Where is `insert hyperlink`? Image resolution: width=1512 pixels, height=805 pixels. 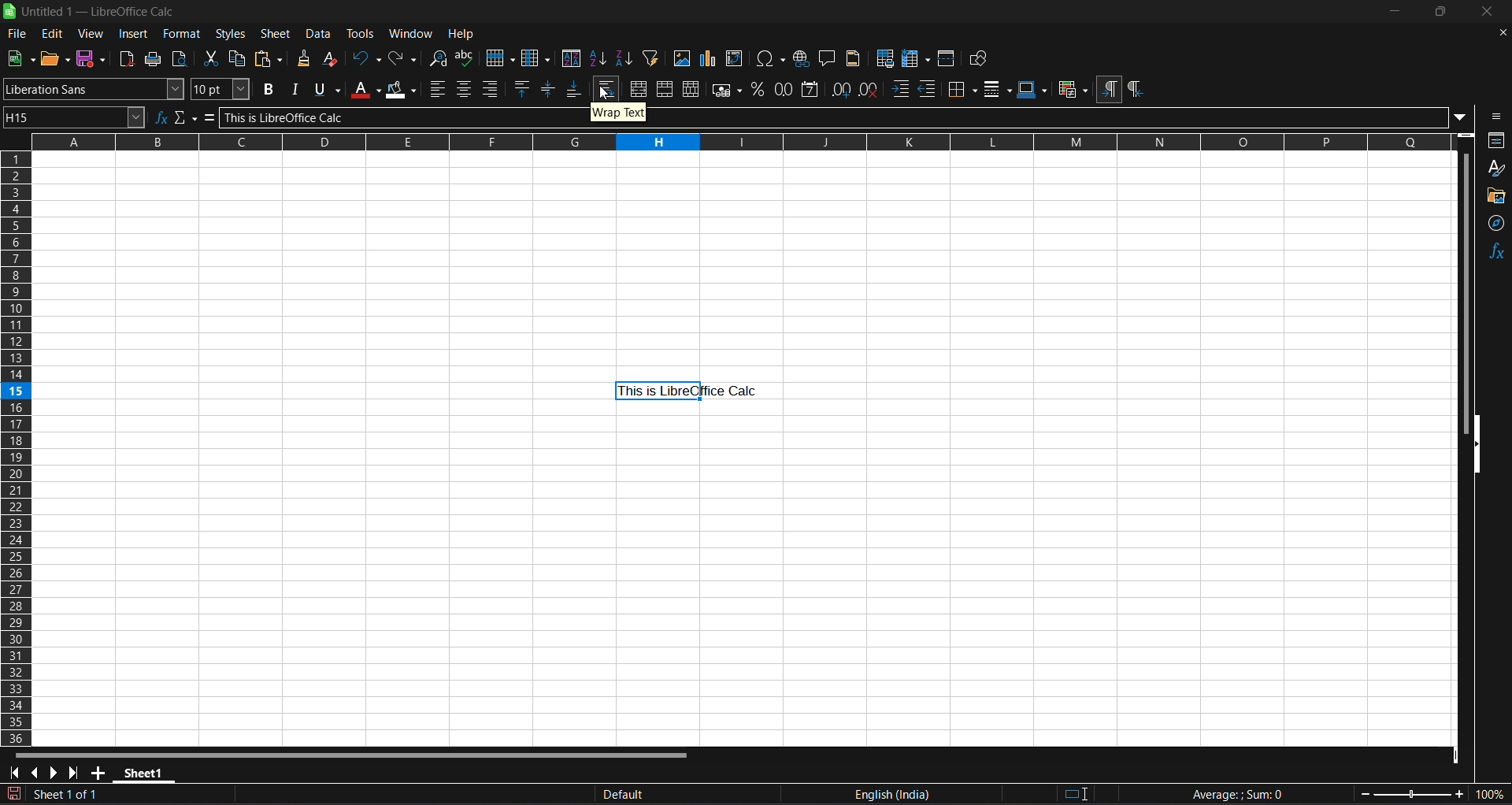 insert hyperlink is located at coordinates (802, 57).